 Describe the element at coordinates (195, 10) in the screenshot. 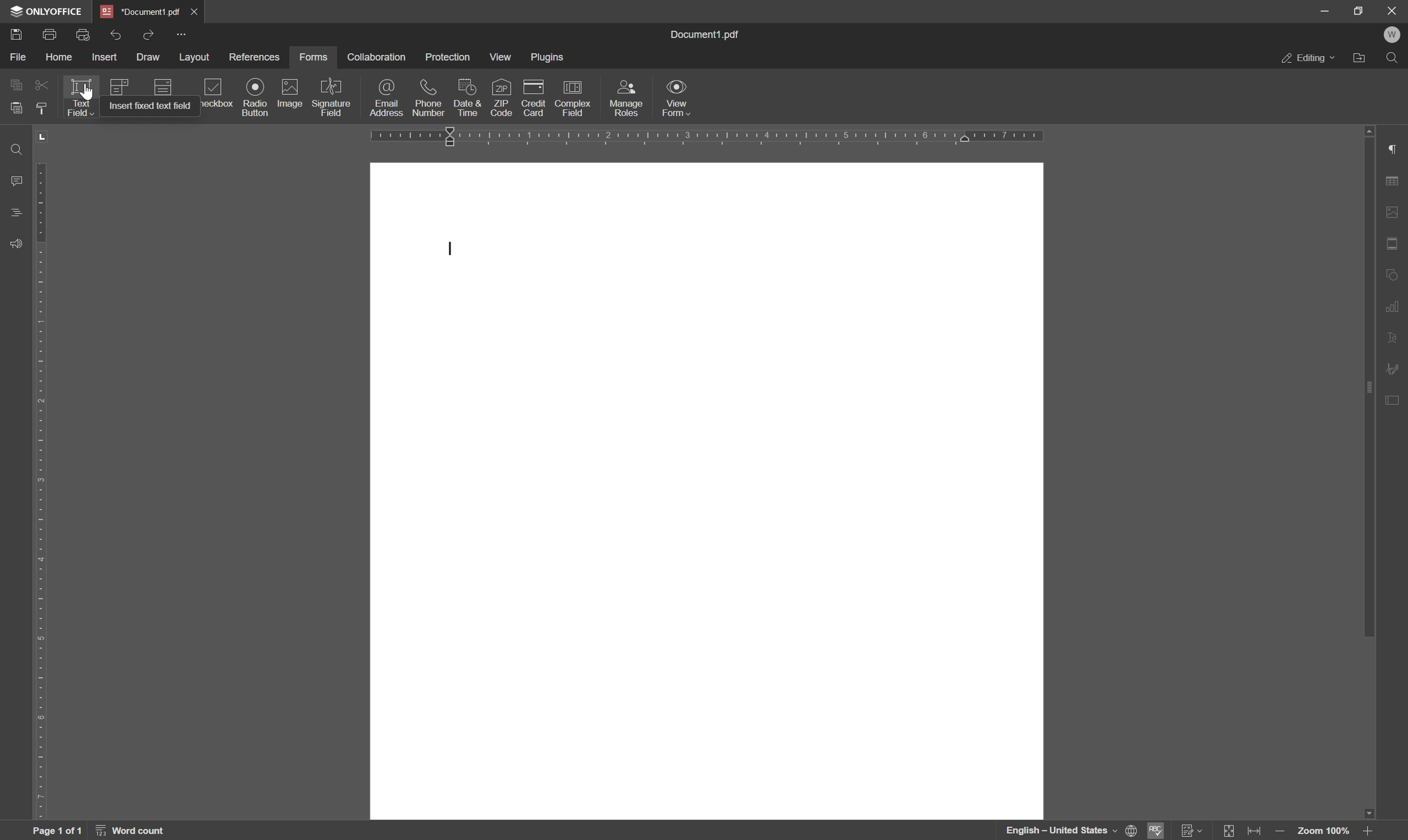

I see `close` at that location.